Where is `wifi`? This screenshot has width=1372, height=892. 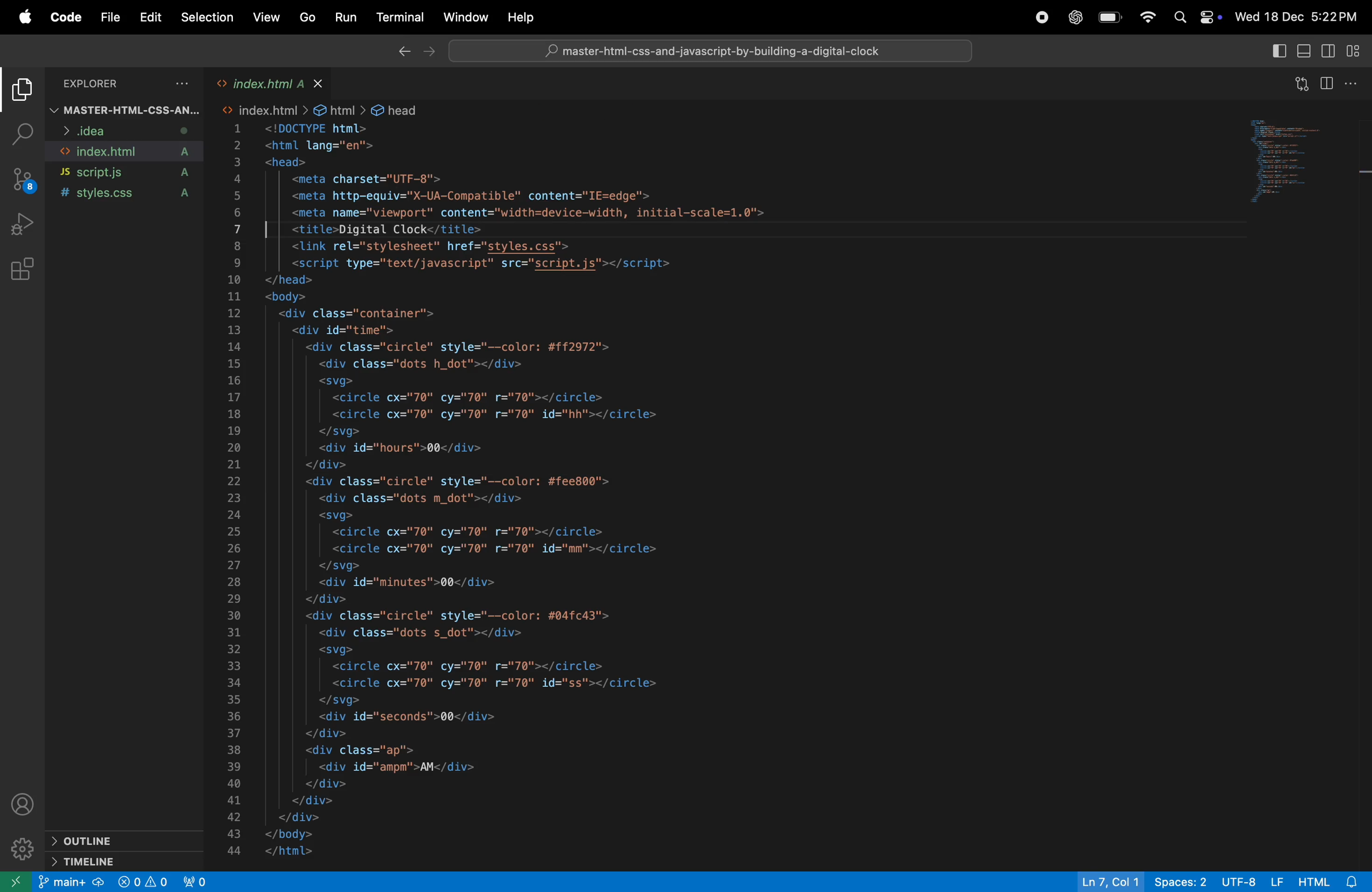
wifi is located at coordinates (1145, 19).